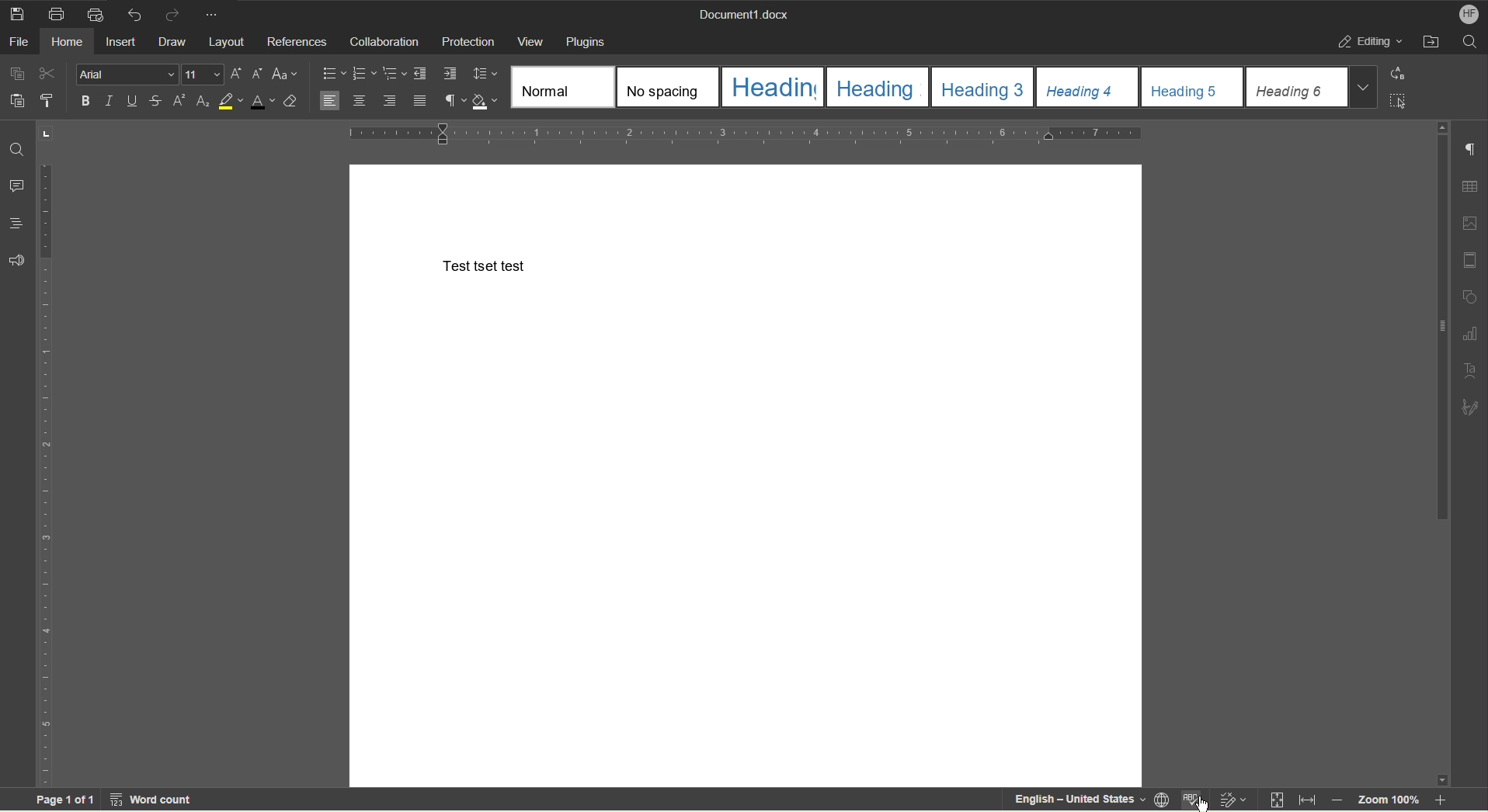  What do you see at coordinates (741, 136) in the screenshot?
I see `Horizontal Ruler` at bounding box center [741, 136].